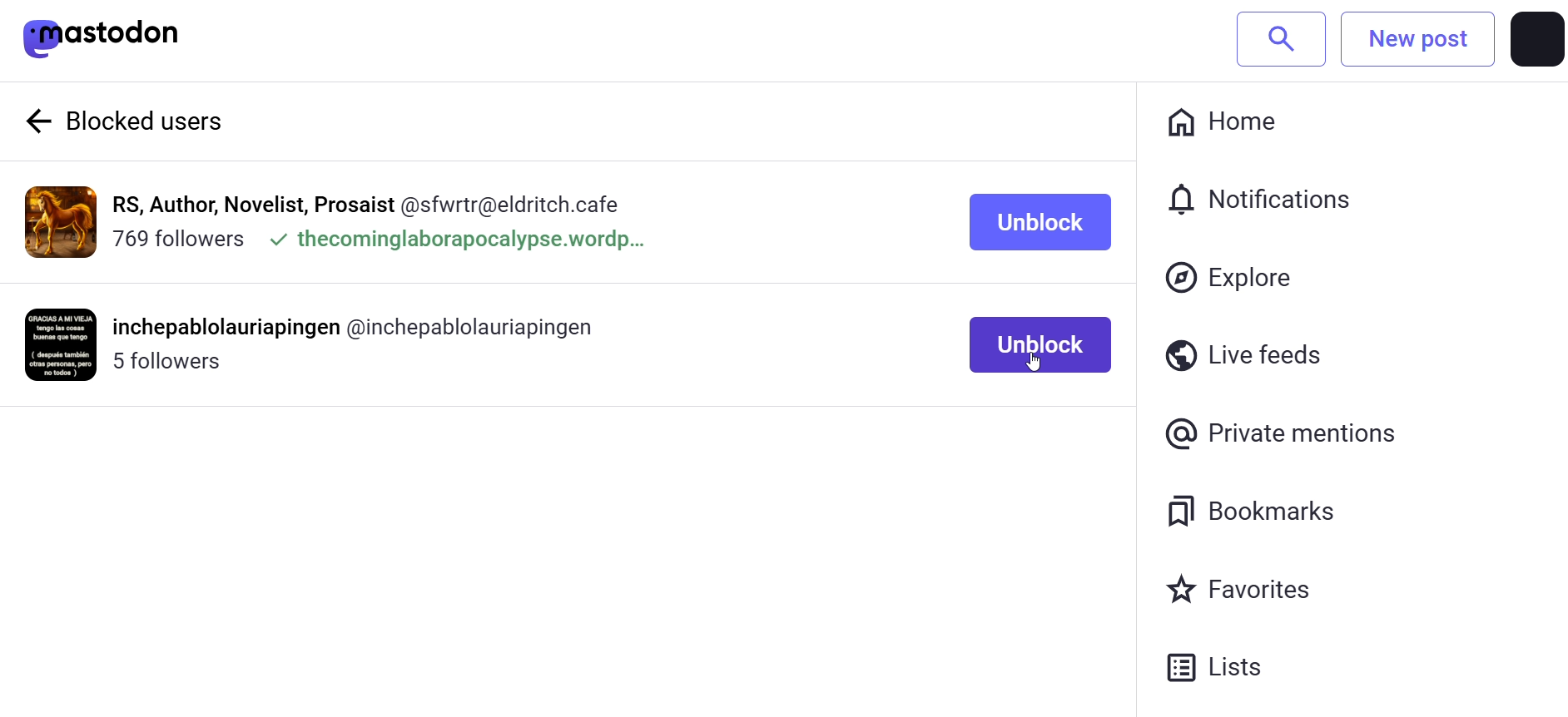 This screenshot has height=717, width=1568. Describe the element at coordinates (1230, 672) in the screenshot. I see `lists` at that location.